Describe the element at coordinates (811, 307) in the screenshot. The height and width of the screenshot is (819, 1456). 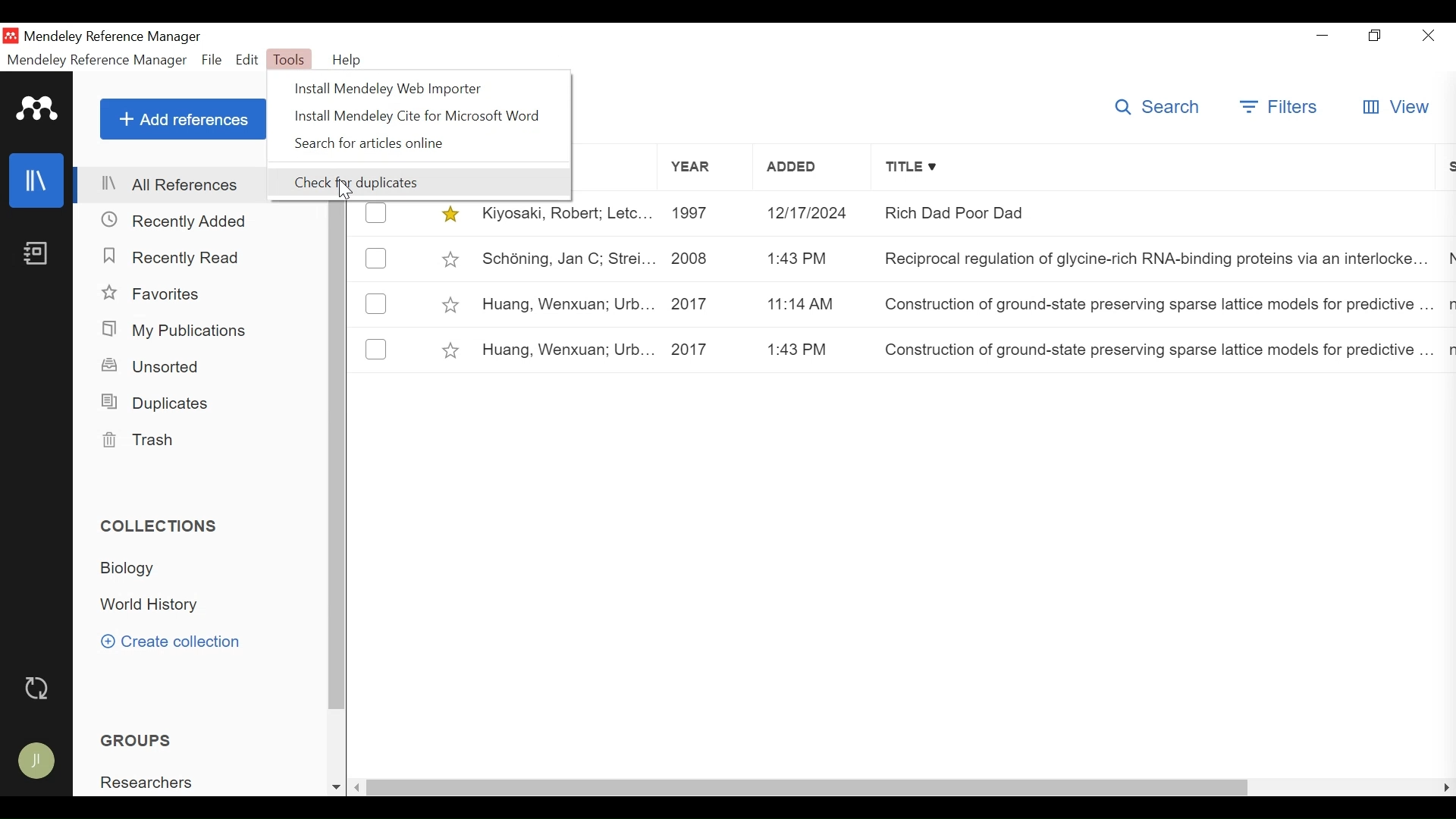
I see `11:14 am` at that location.